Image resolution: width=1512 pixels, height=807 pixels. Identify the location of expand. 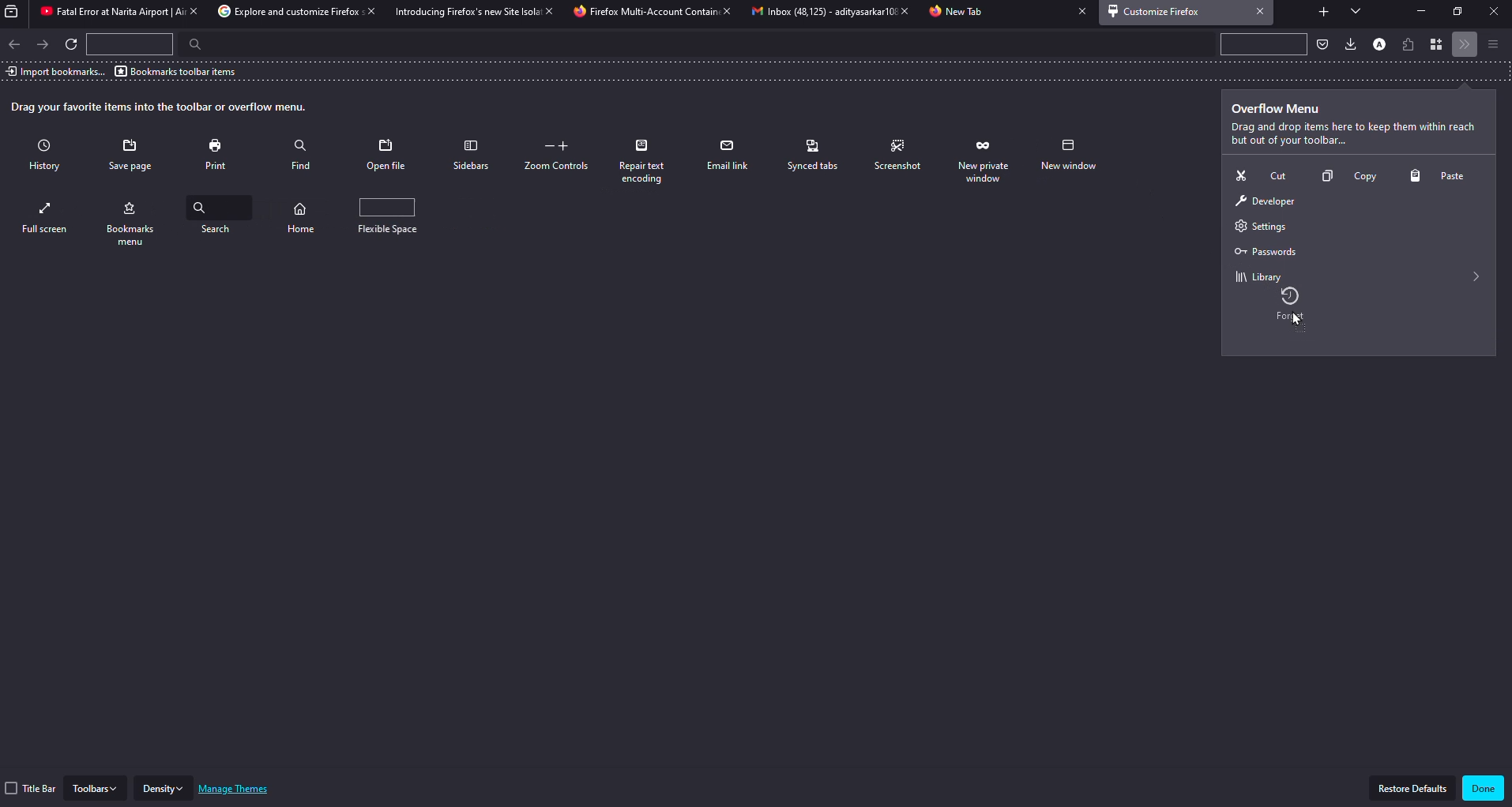
(1477, 276).